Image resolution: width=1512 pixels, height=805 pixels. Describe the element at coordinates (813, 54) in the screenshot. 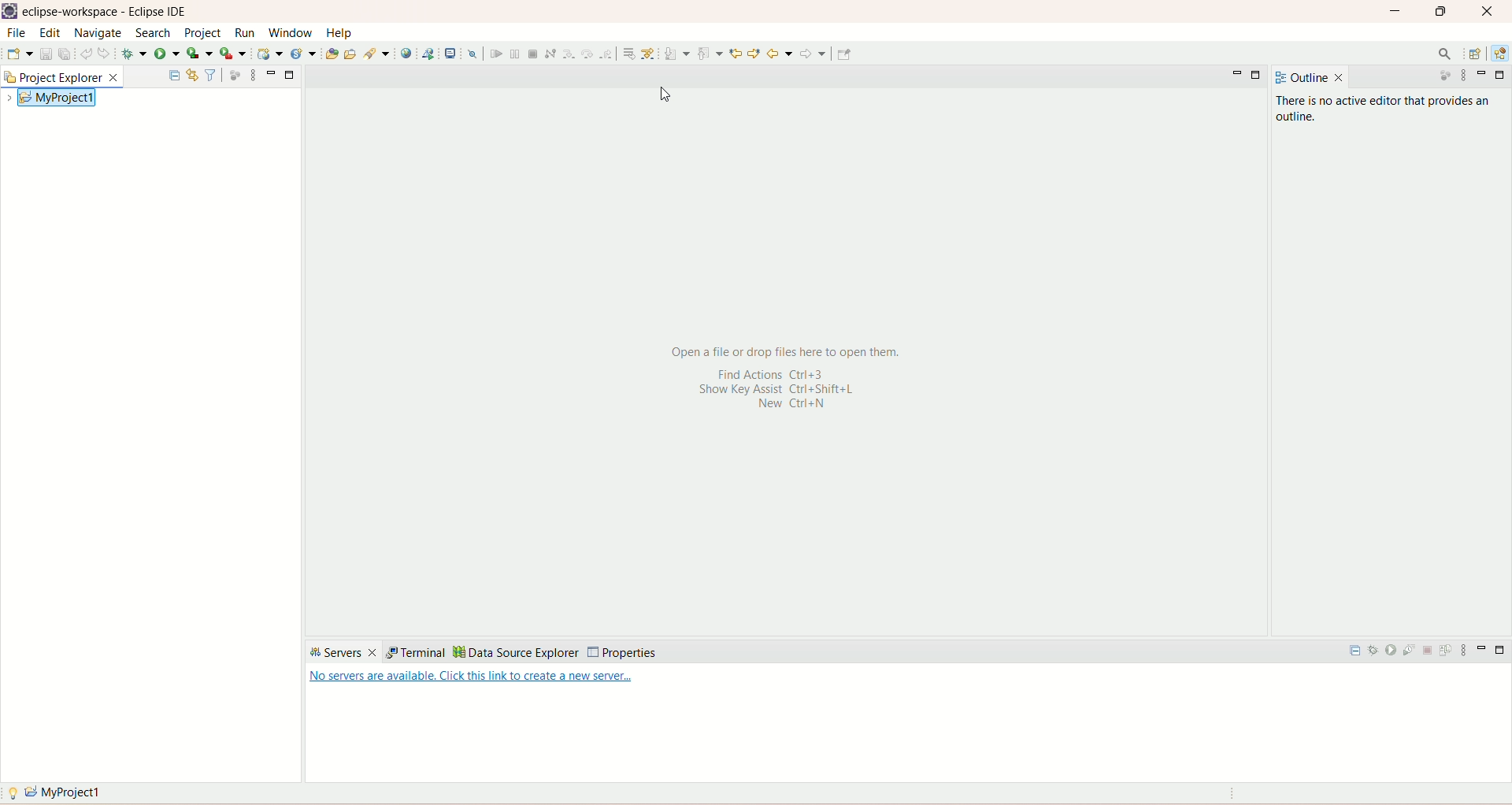

I see `forward` at that location.